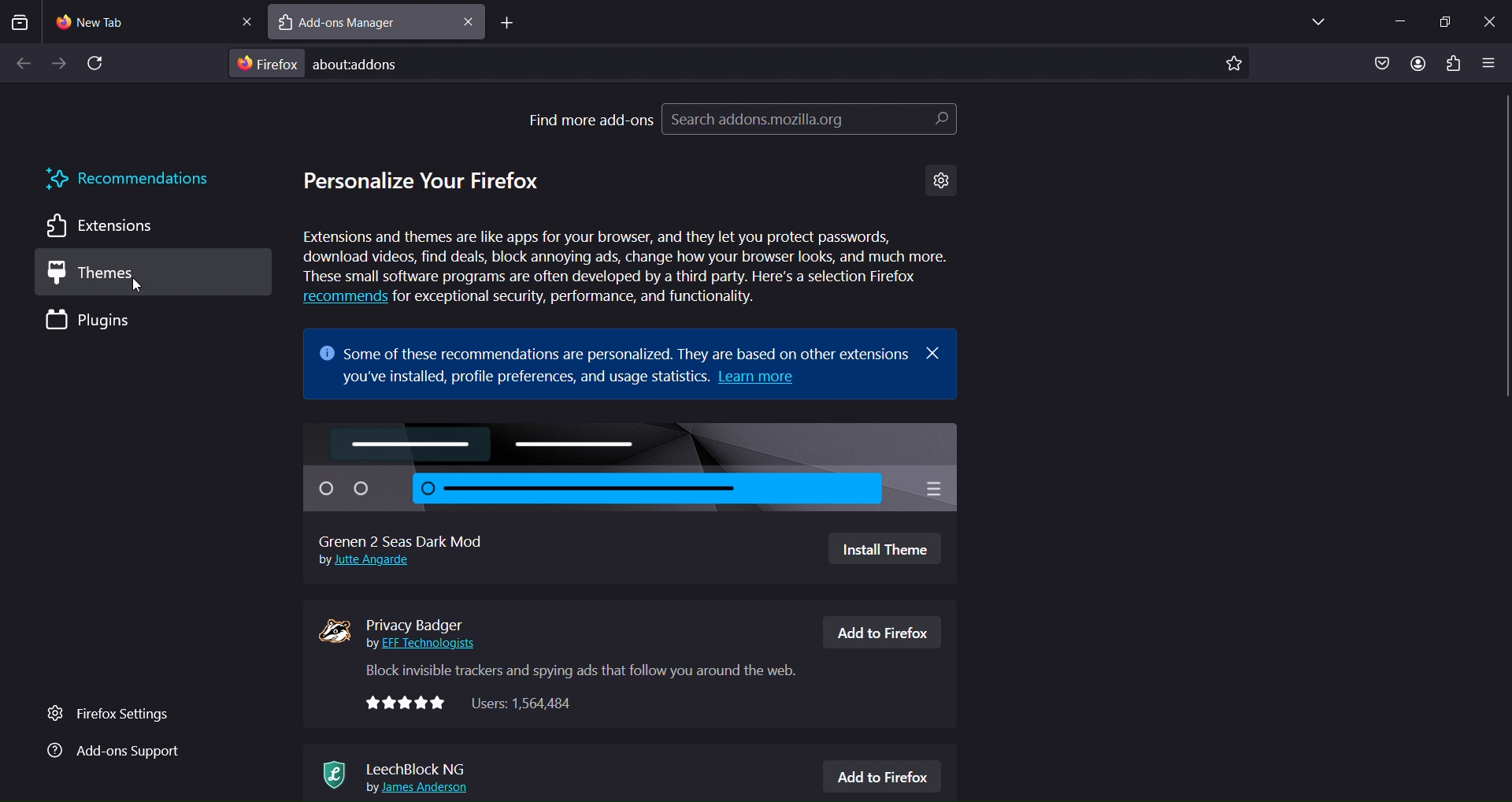  Describe the element at coordinates (402, 704) in the screenshot. I see `rating stars` at that location.